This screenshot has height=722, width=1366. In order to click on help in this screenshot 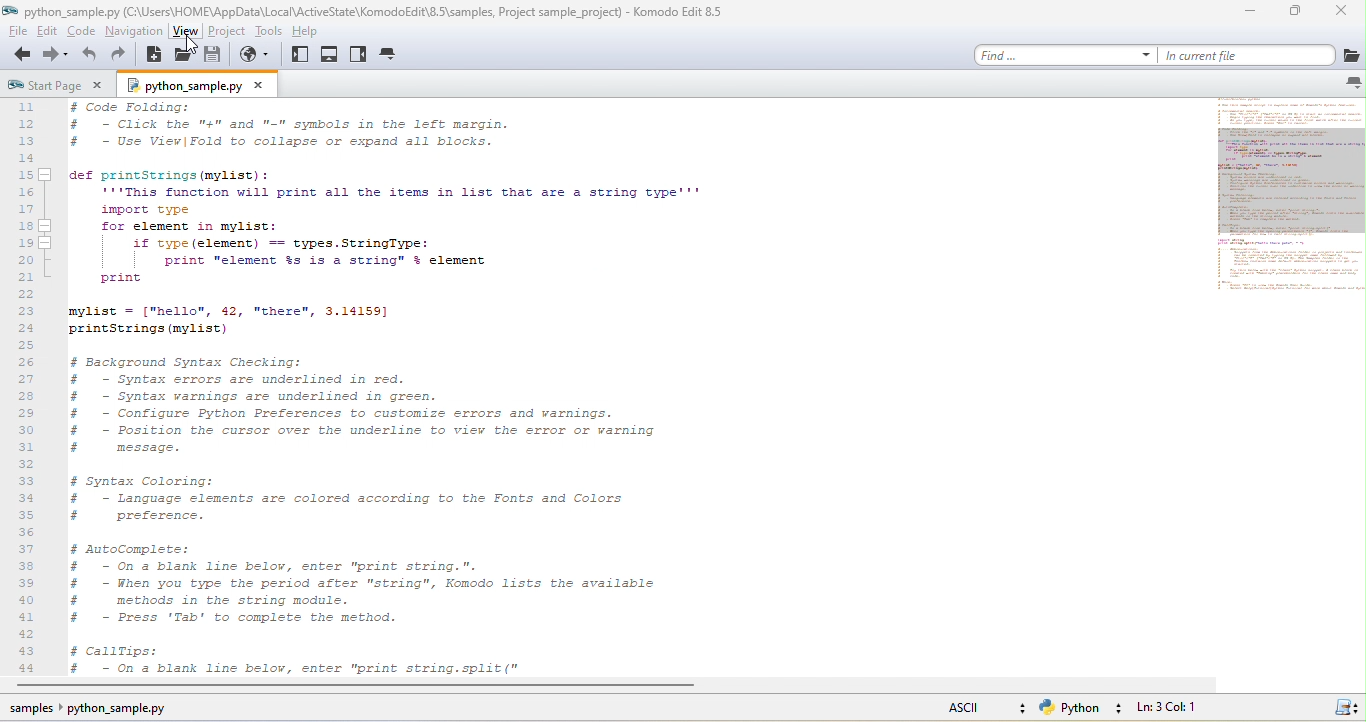, I will do `click(309, 32)`.